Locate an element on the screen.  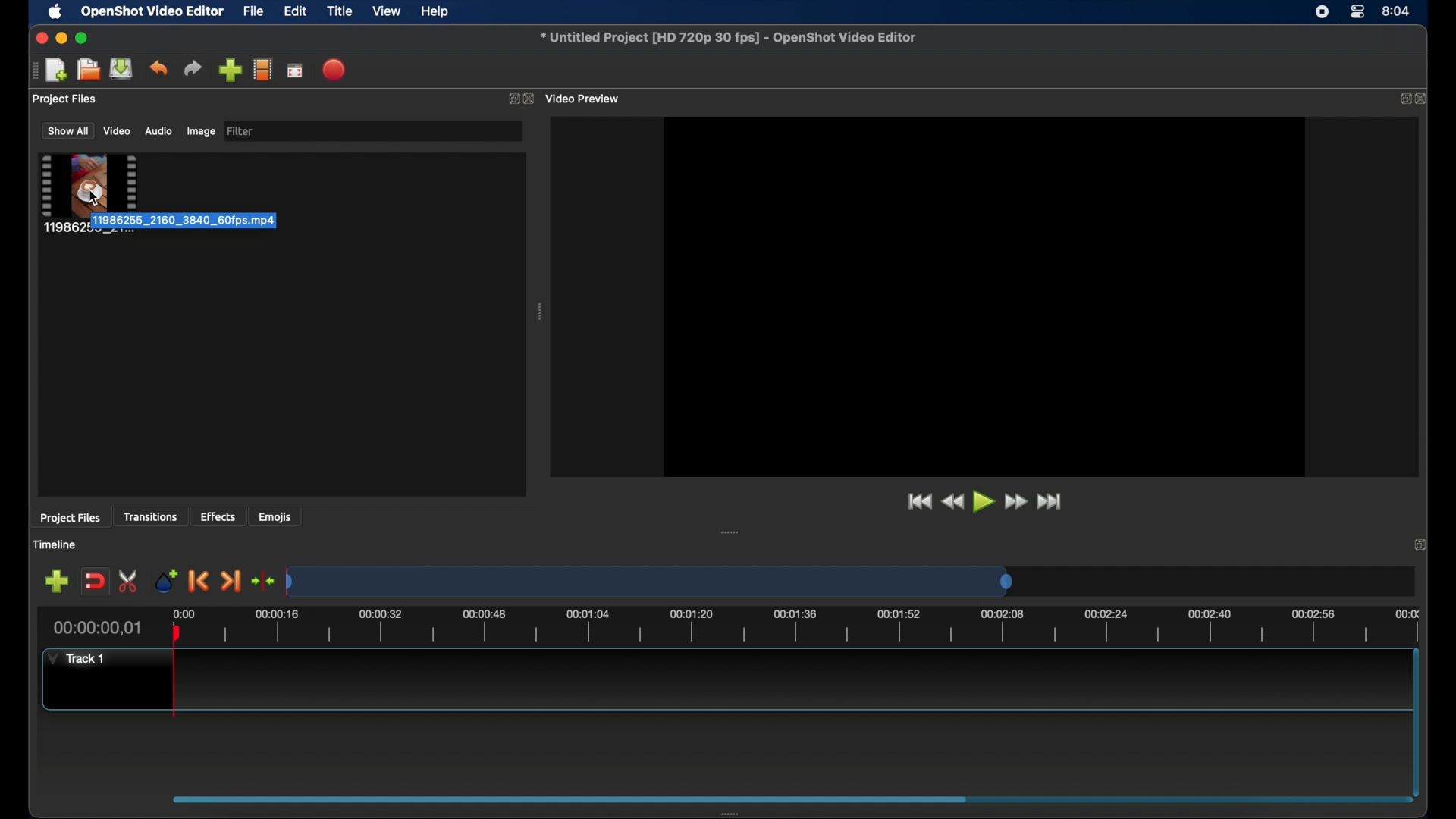
new project is located at coordinates (58, 69).